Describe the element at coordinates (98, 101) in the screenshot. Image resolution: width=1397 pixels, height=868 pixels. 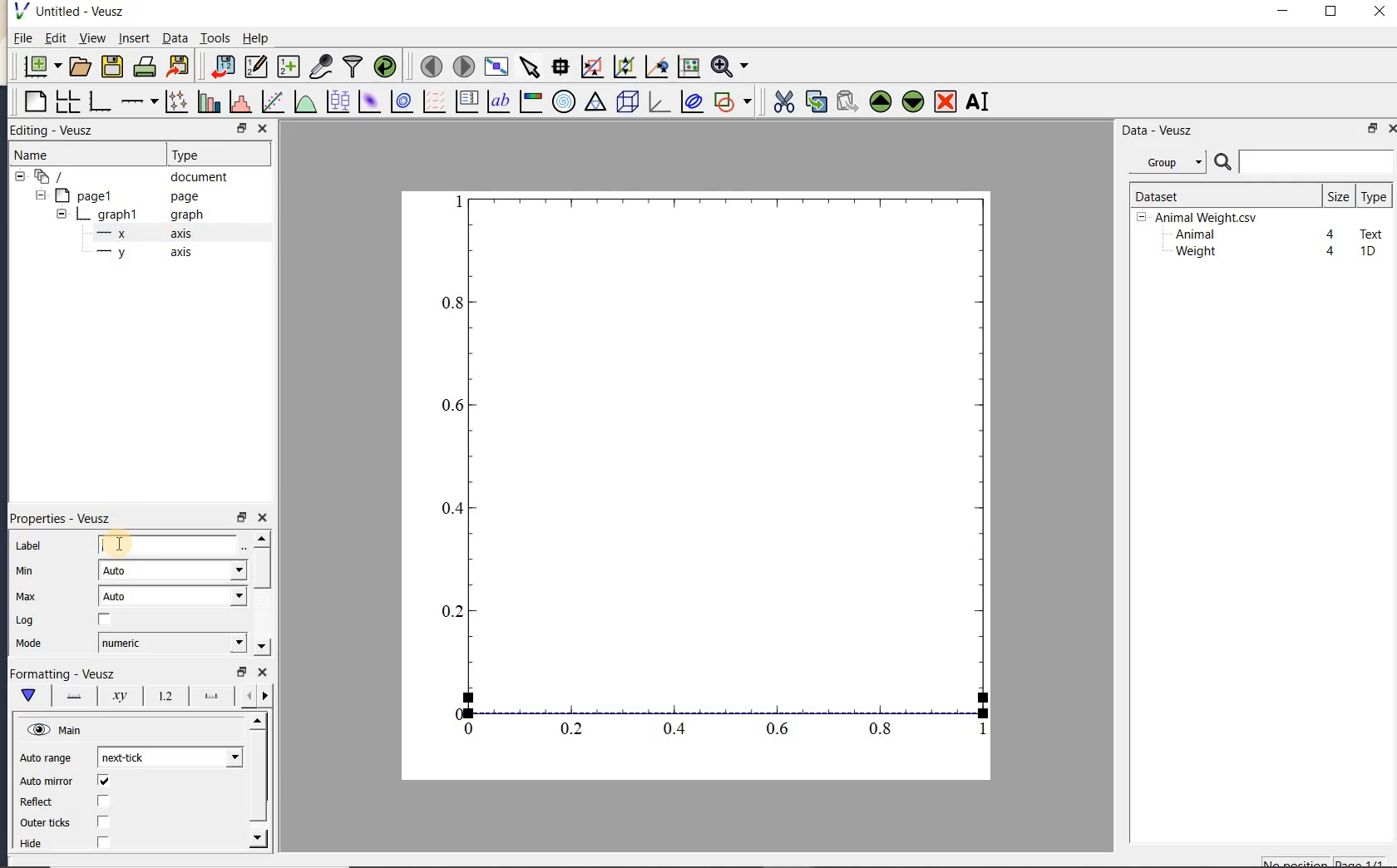
I see `base graph` at that location.